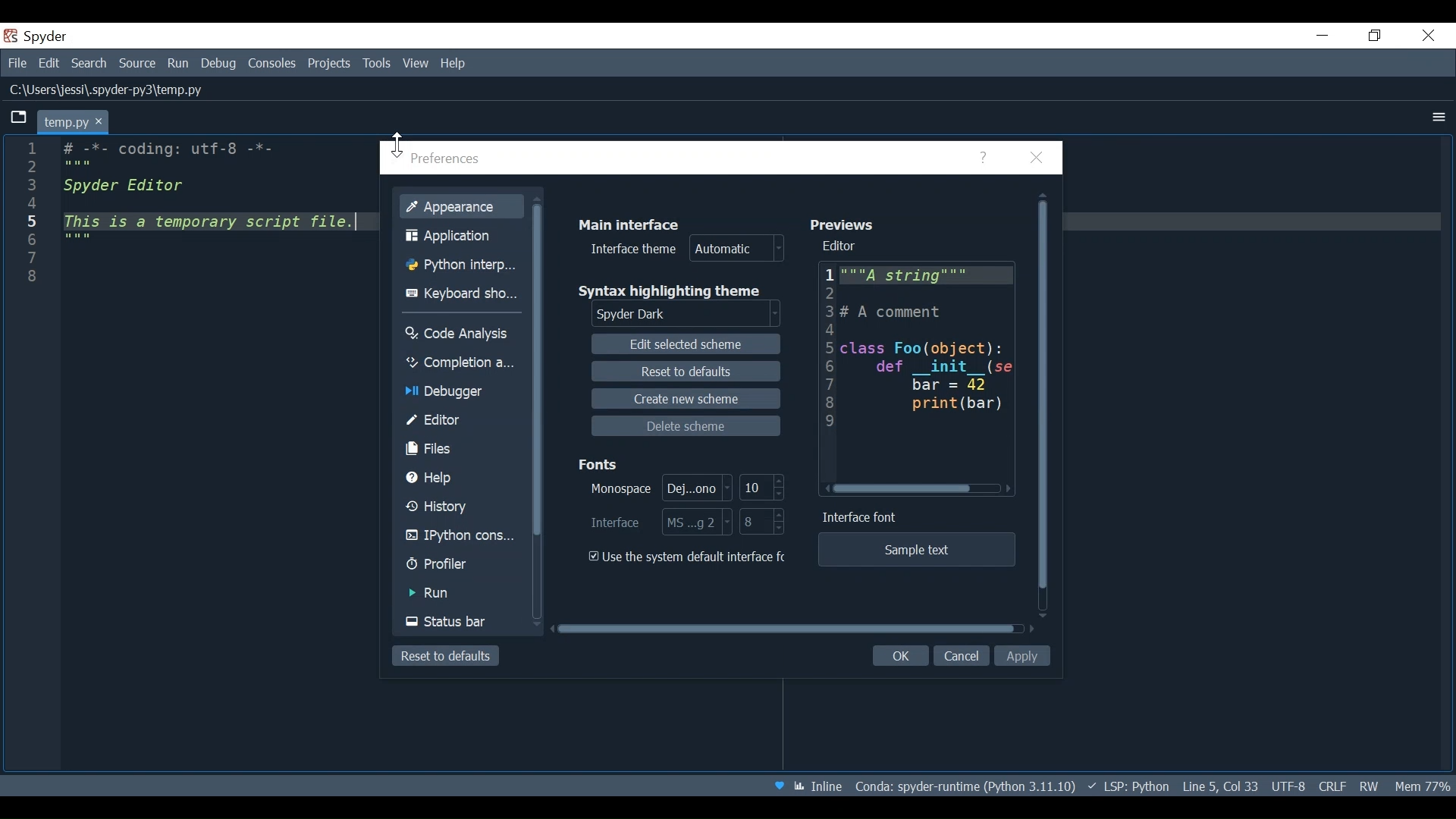  I want to click on Completions, so click(461, 362).